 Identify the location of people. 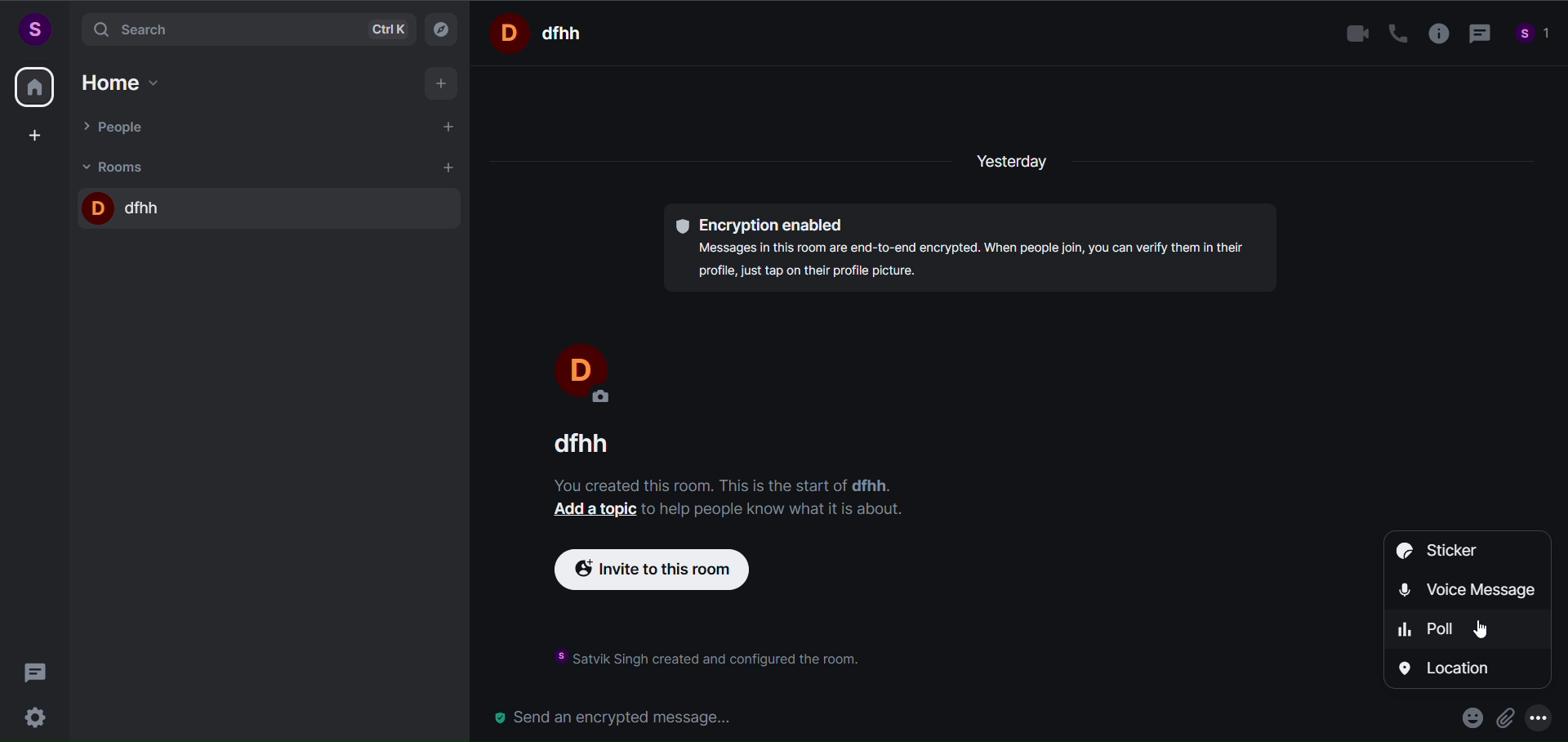
(117, 126).